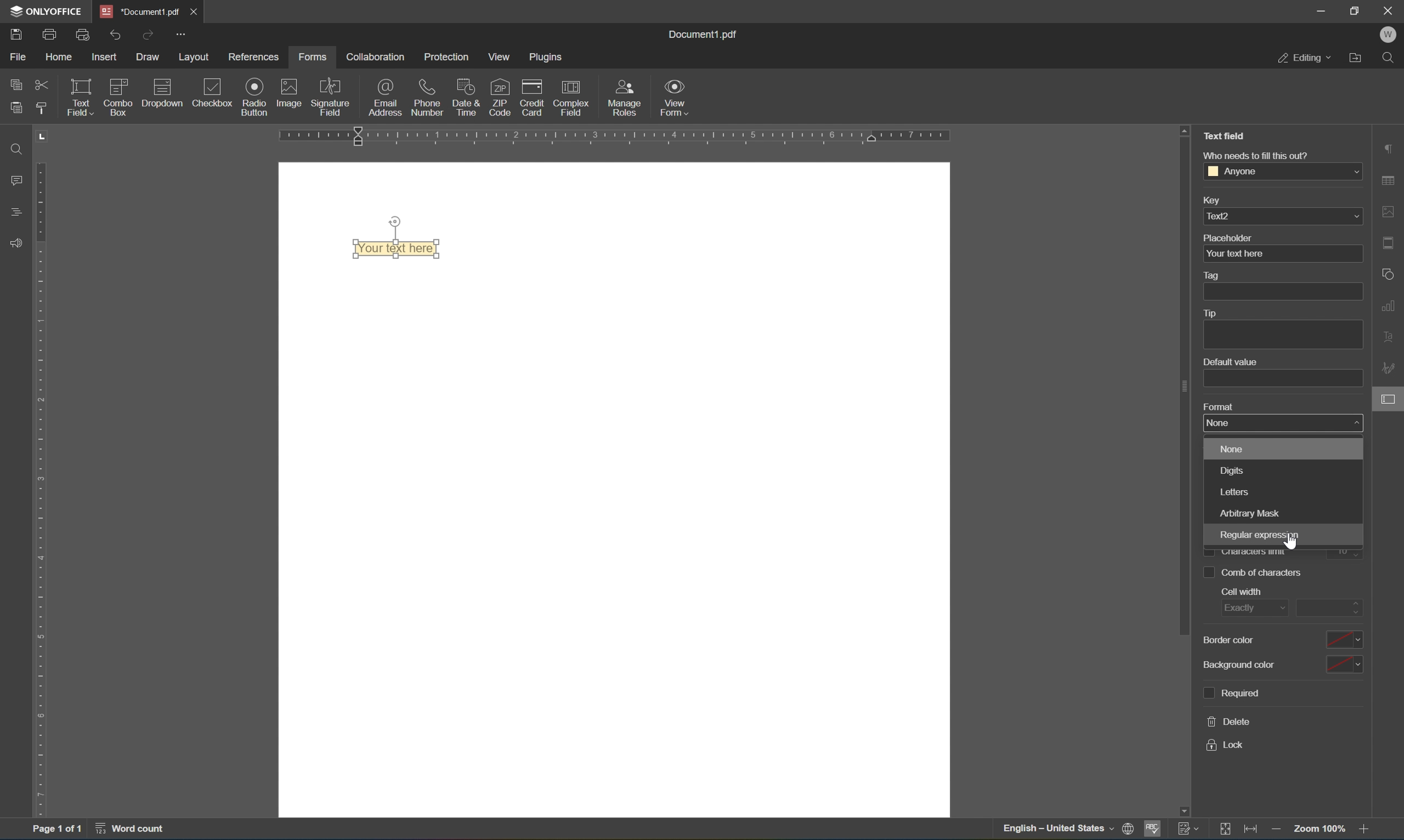 The height and width of the screenshot is (840, 1404). Describe the element at coordinates (1321, 12) in the screenshot. I see `minimize` at that location.